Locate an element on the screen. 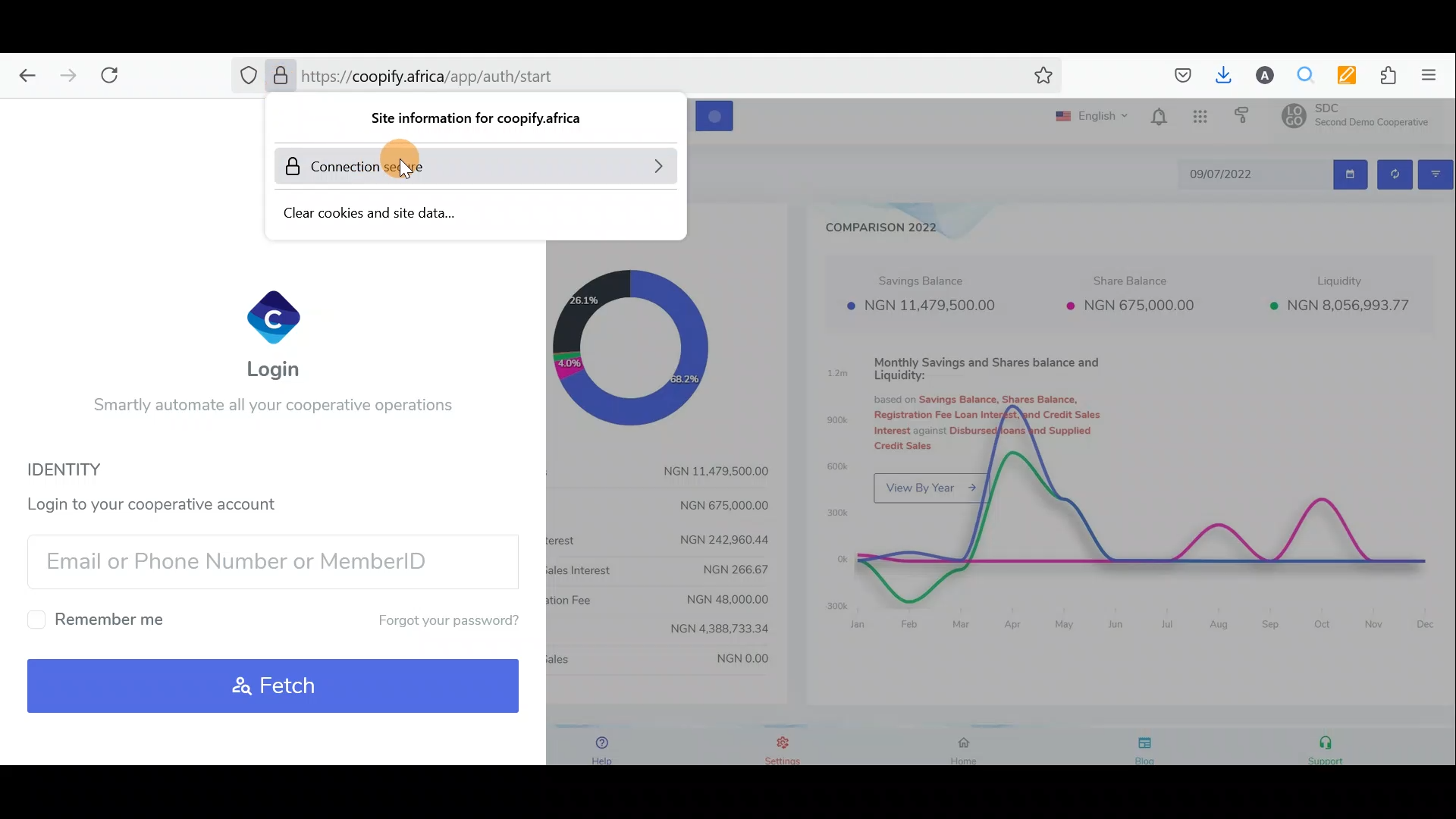 The width and height of the screenshot is (1456, 819). Login is located at coordinates (276, 334).